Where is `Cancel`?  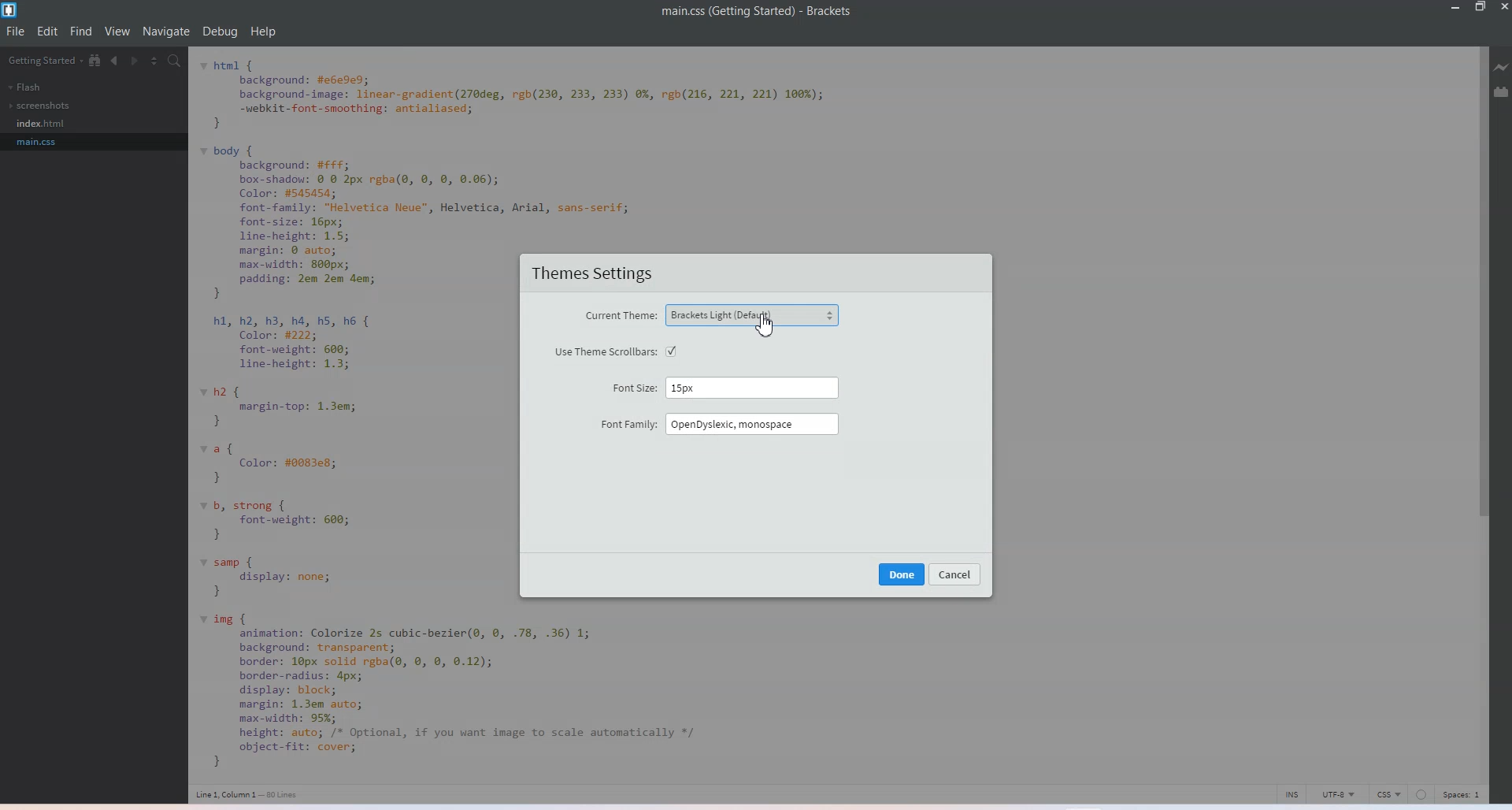
Cancel is located at coordinates (957, 574).